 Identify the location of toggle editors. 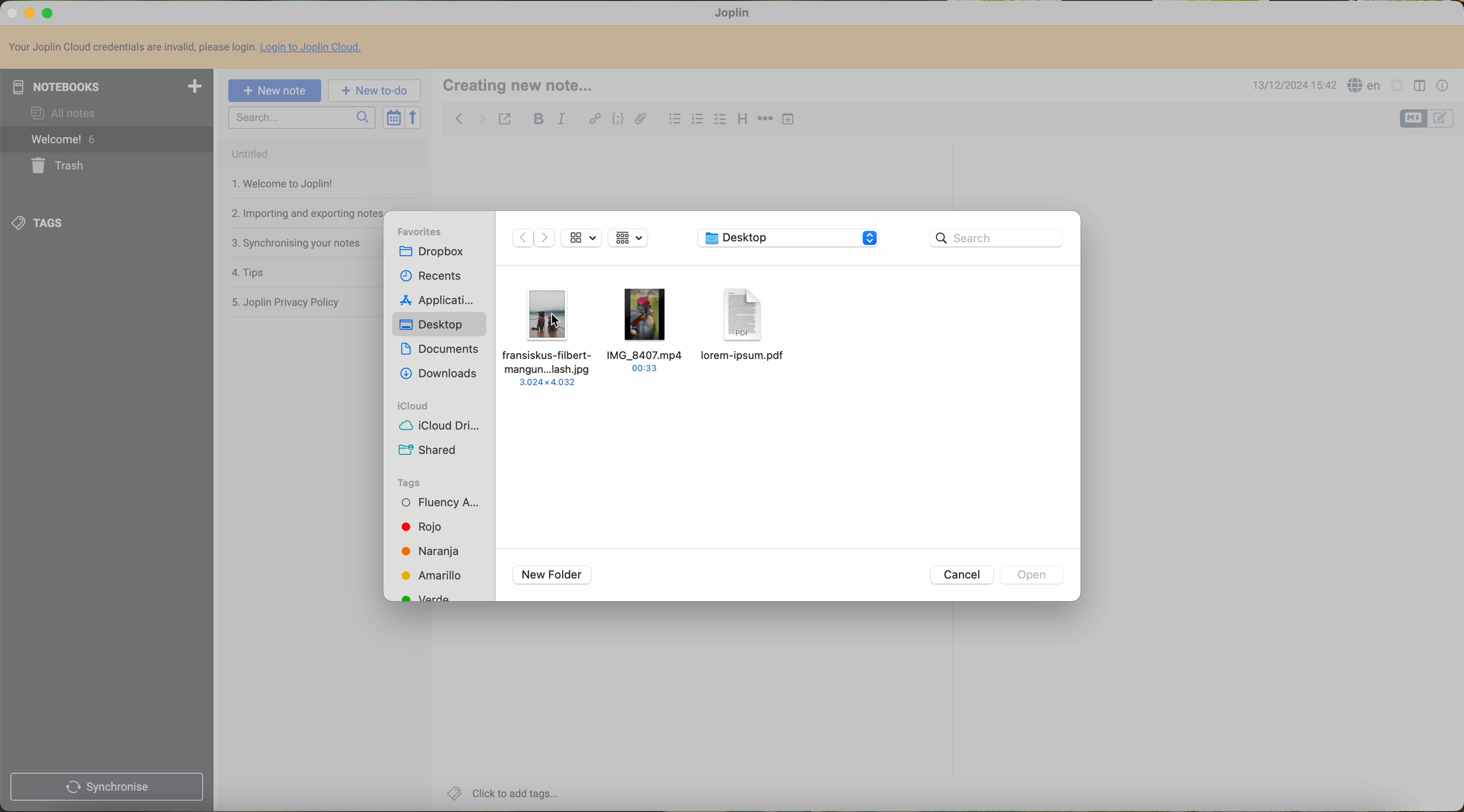
(1443, 120).